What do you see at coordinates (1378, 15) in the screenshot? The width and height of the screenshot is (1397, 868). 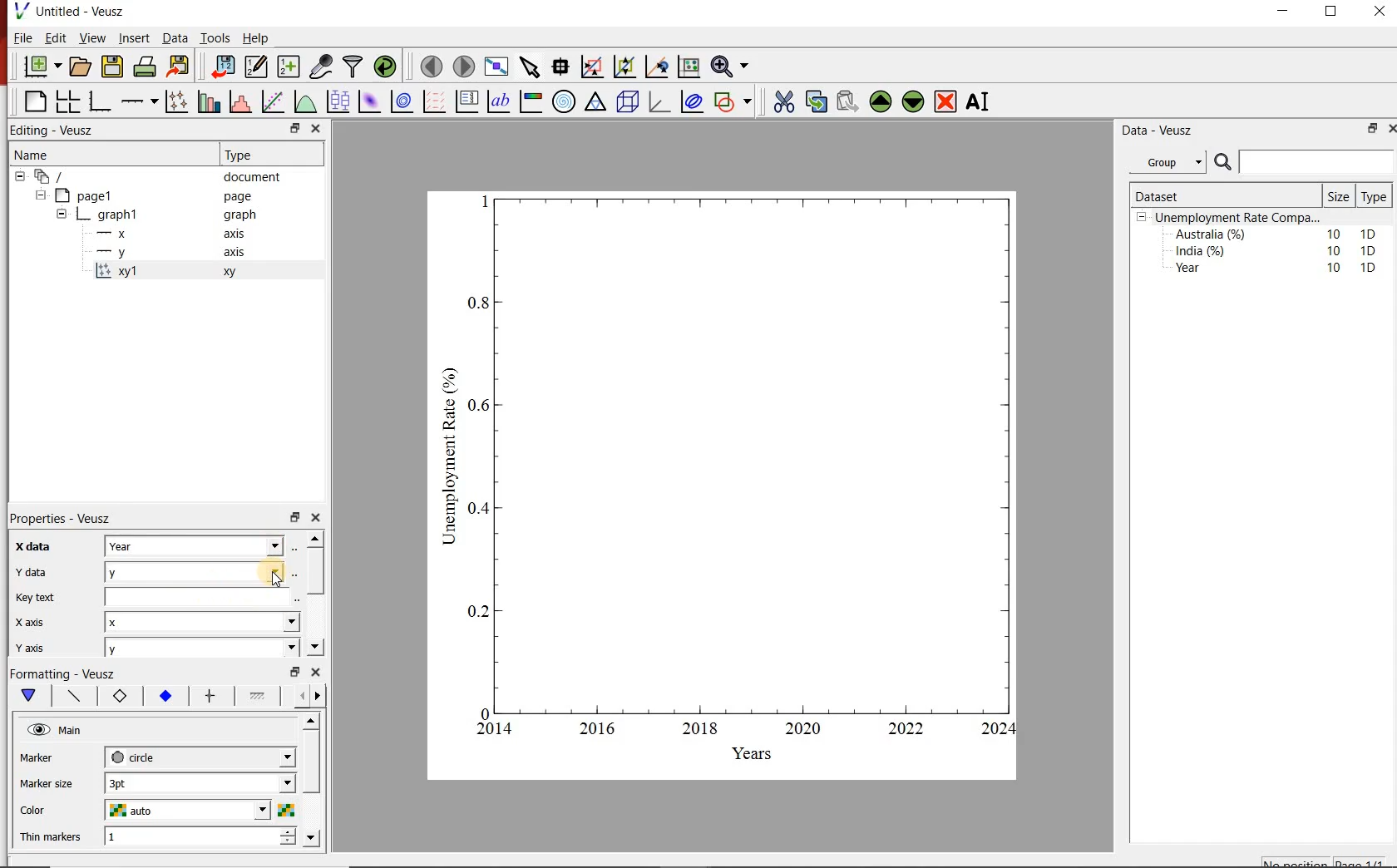 I see `close` at bounding box center [1378, 15].